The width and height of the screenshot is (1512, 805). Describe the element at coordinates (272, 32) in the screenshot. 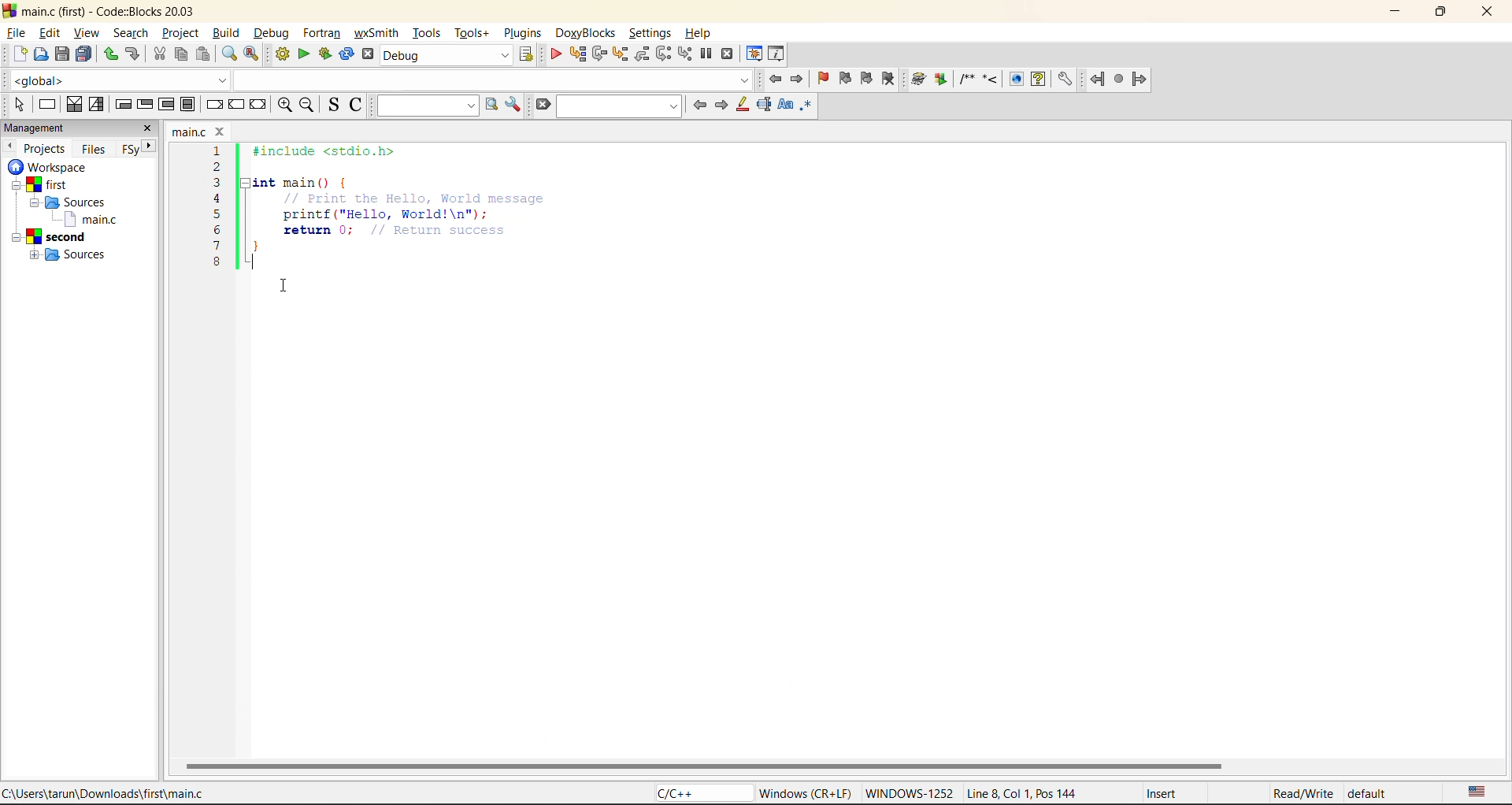

I see `debug` at that location.